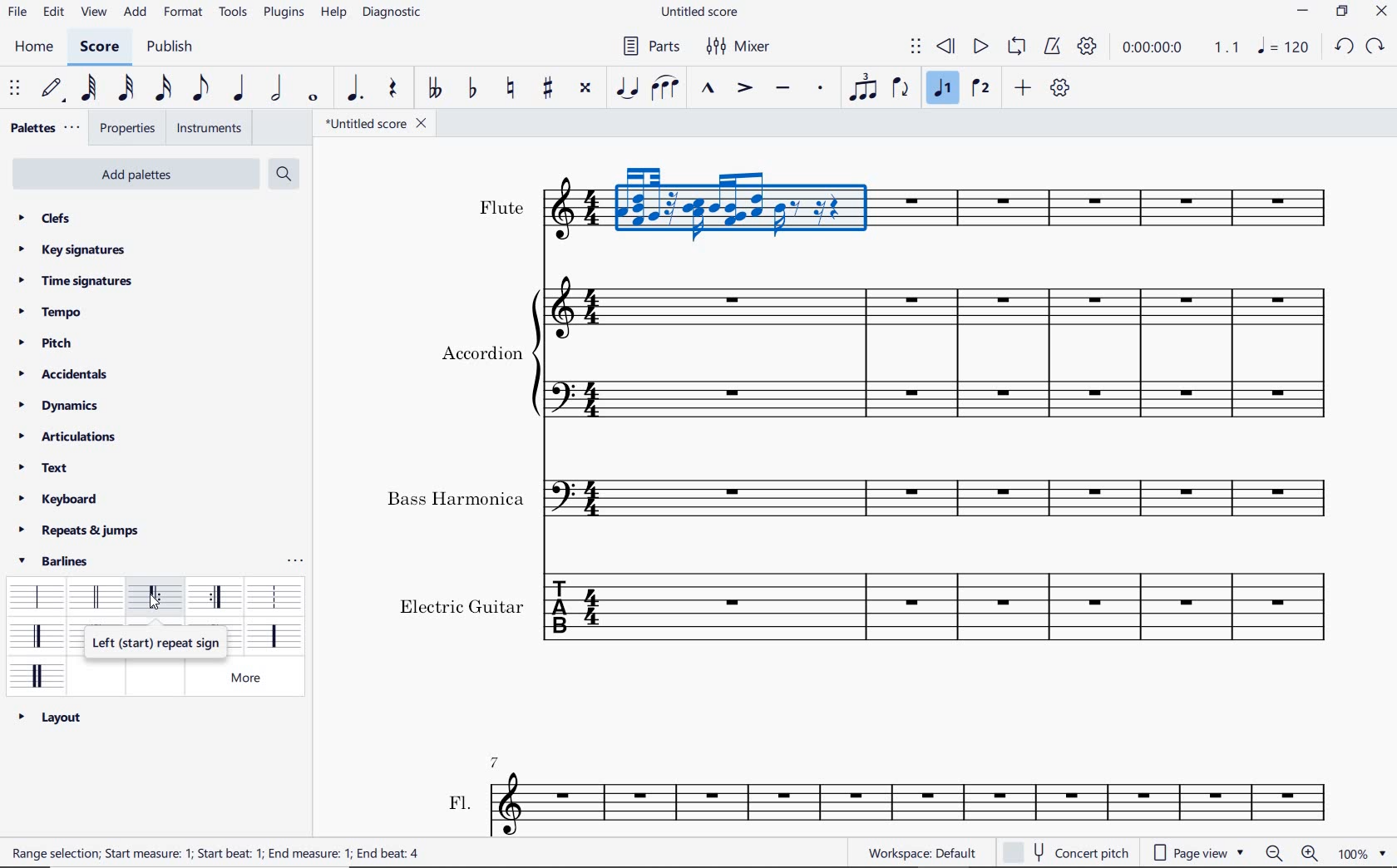 Image resolution: width=1397 pixels, height=868 pixels. Describe the element at coordinates (1061, 87) in the screenshot. I see `customize toolbar` at that location.